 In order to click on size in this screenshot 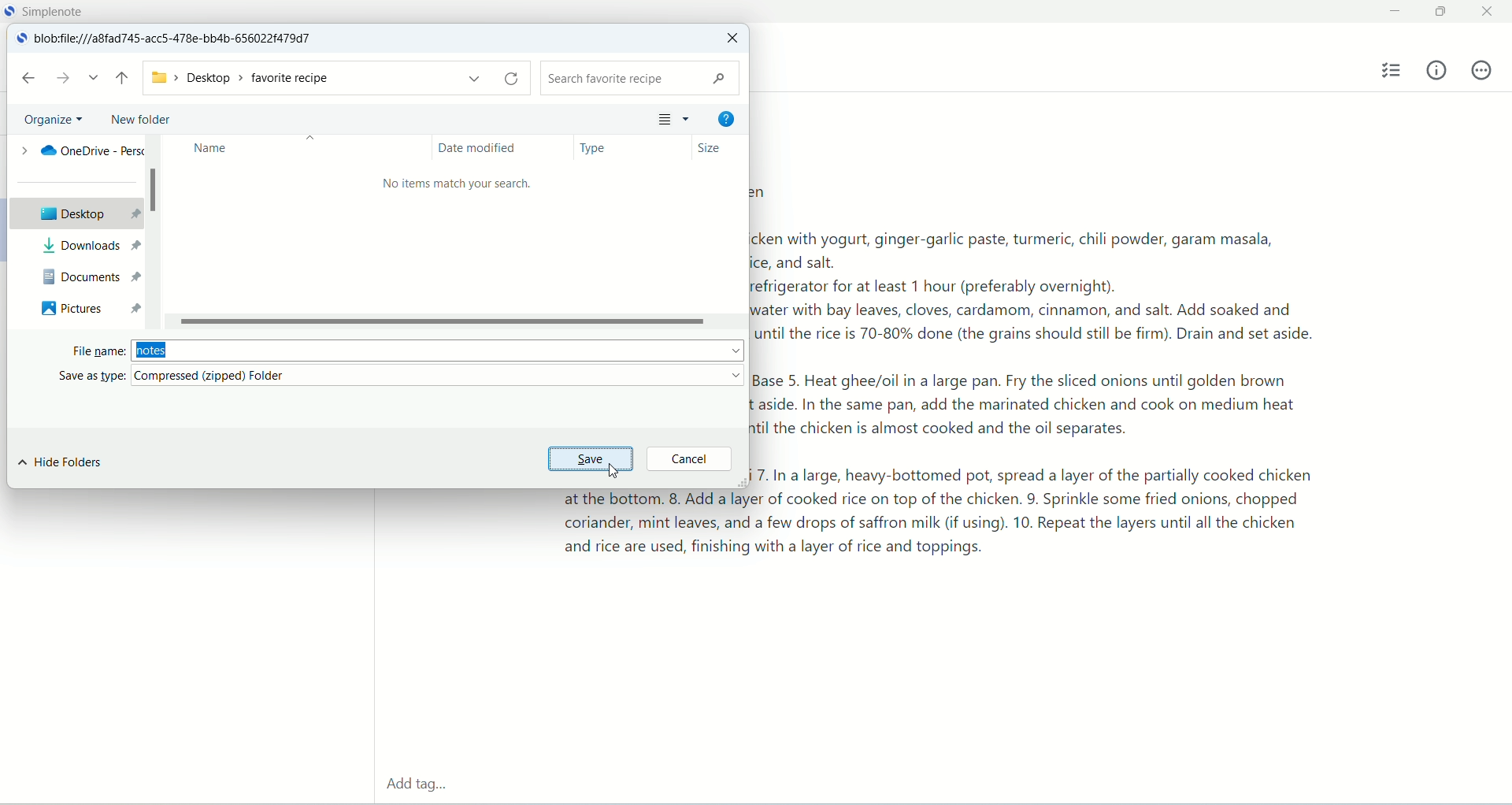, I will do `click(721, 148)`.